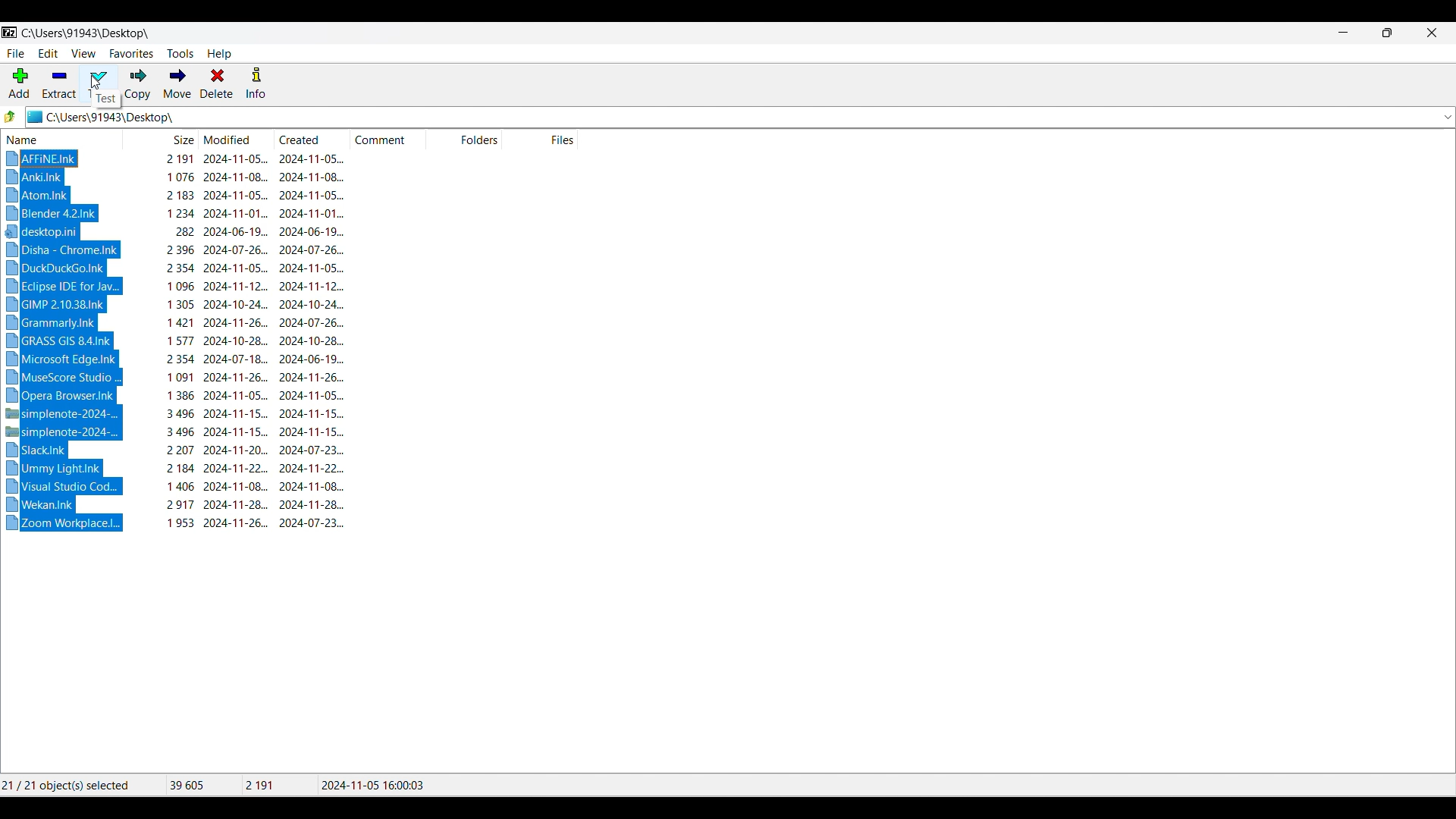 This screenshot has height=819, width=1456. I want to click on Extract, so click(60, 84).